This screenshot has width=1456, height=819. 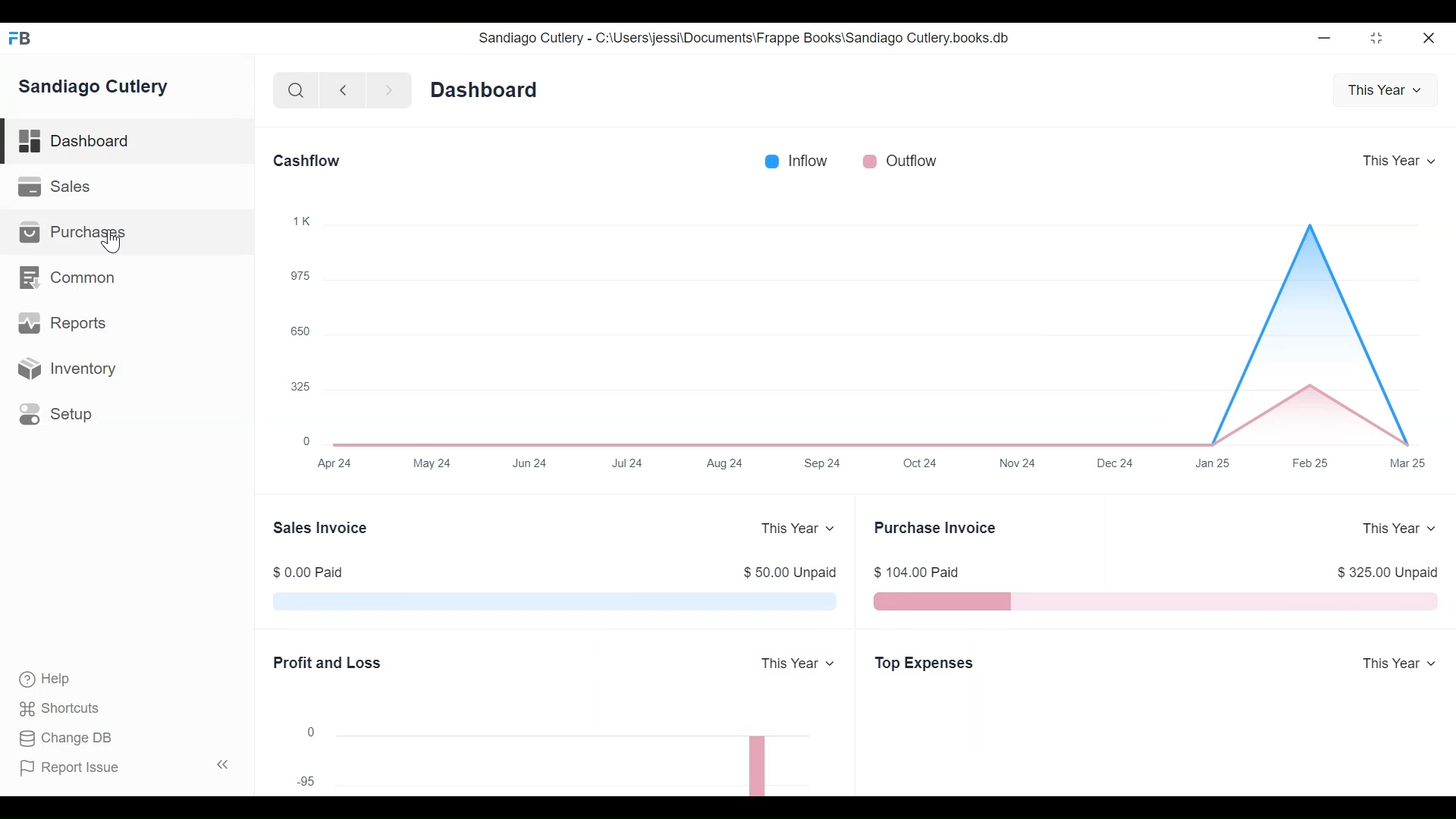 I want to click on maximize, so click(x=1382, y=39).